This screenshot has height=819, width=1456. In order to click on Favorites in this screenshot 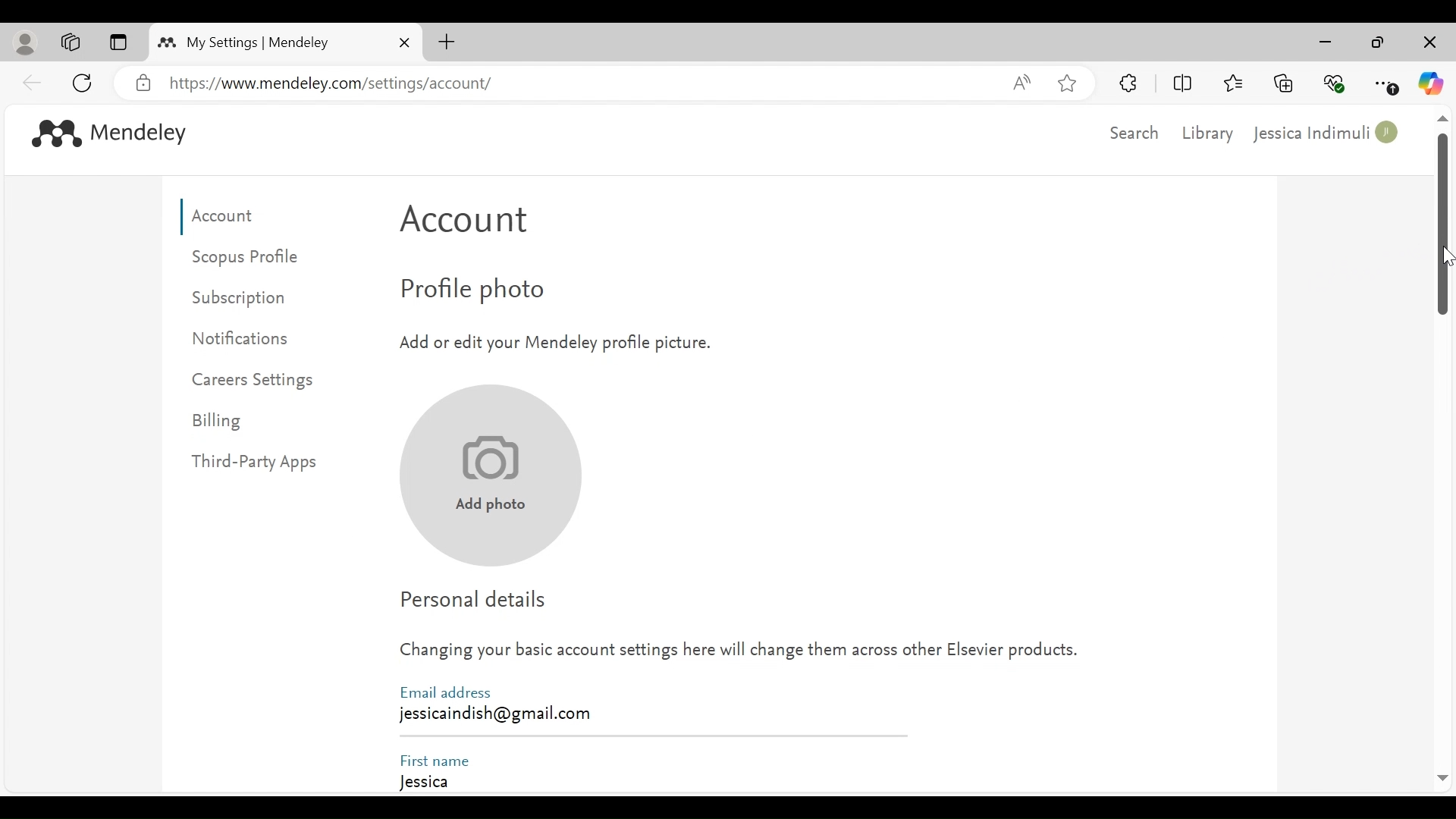, I will do `click(1232, 81)`.